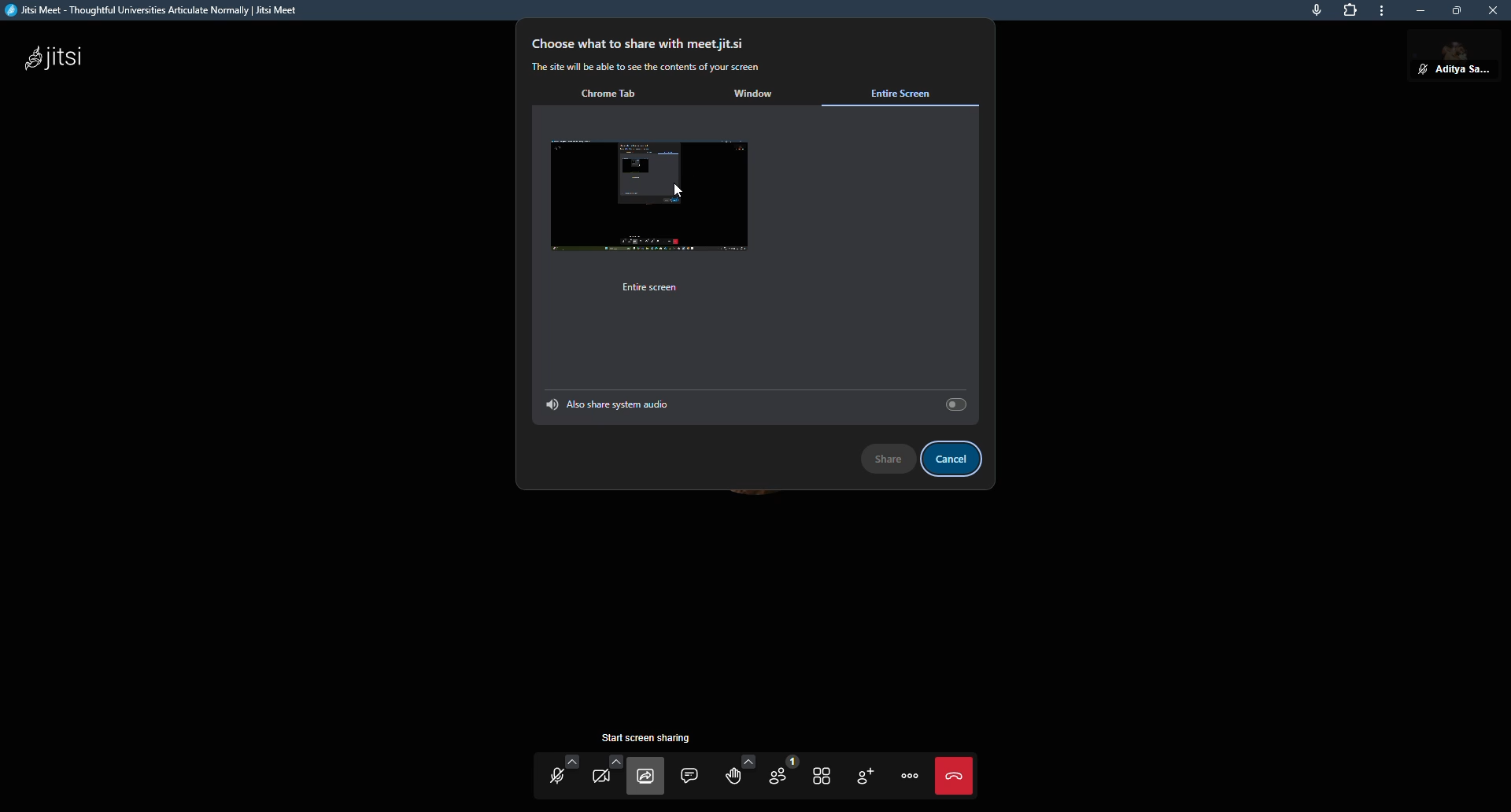 This screenshot has height=812, width=1511. Describe the element at coordinates (735, 775) in the screenshot. I see `raise hand` at that location.